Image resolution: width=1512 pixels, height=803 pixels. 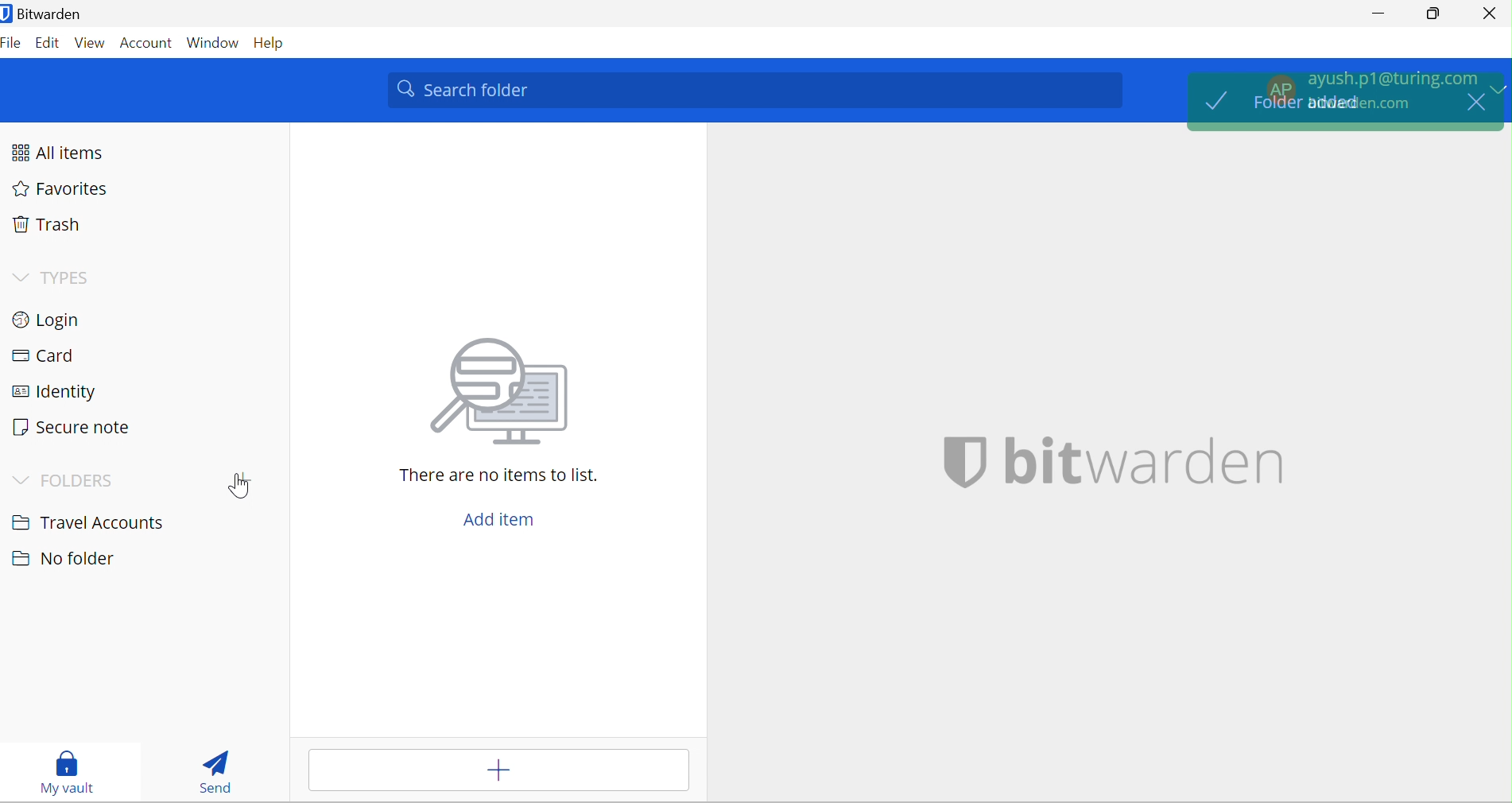 What do you see at coordinates (1278, 88) in the screenshot?
I see `AP` at bounding box center [1278, 88].